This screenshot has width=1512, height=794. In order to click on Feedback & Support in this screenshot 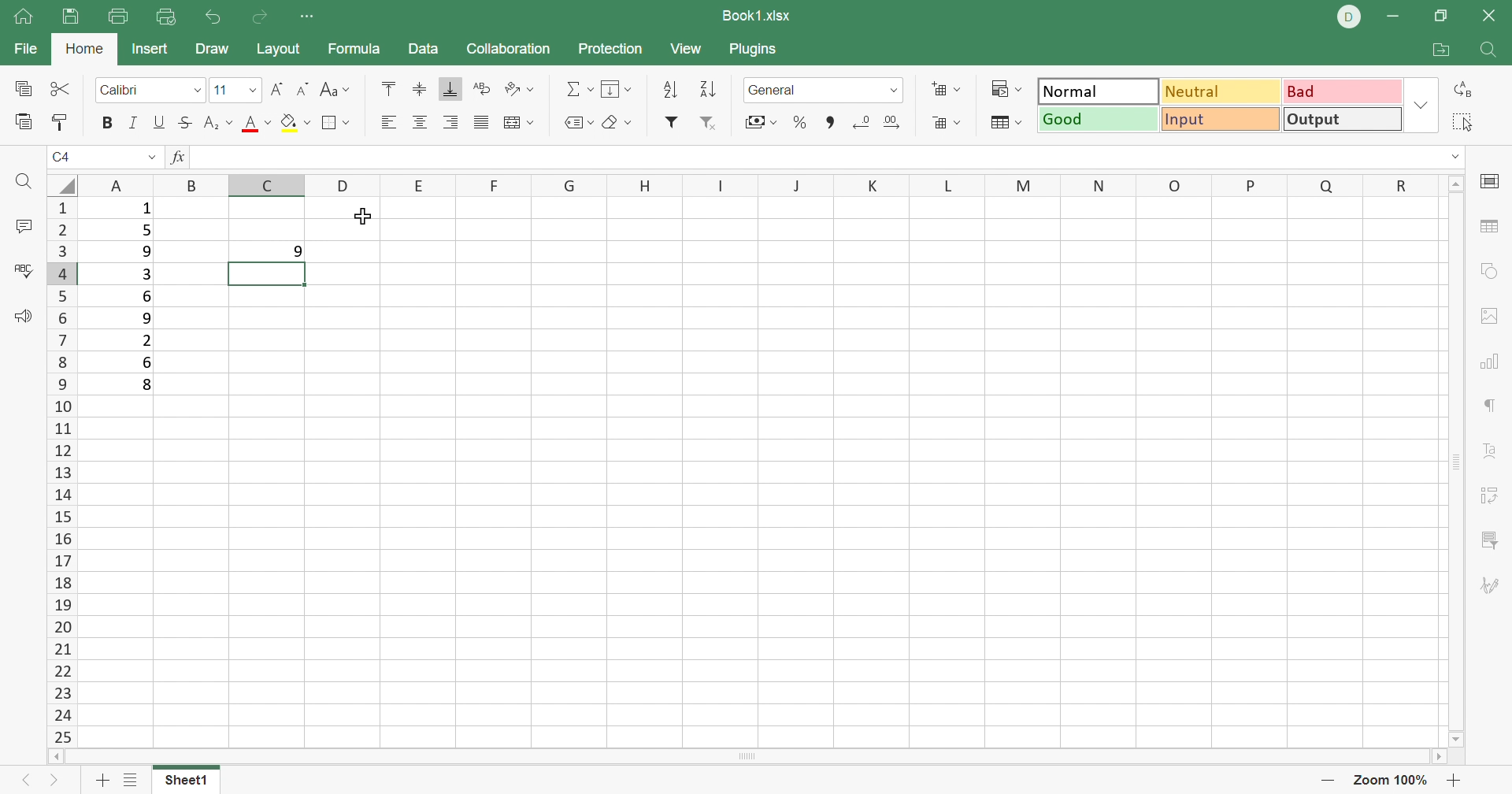, I will do `click(23, 317)`.